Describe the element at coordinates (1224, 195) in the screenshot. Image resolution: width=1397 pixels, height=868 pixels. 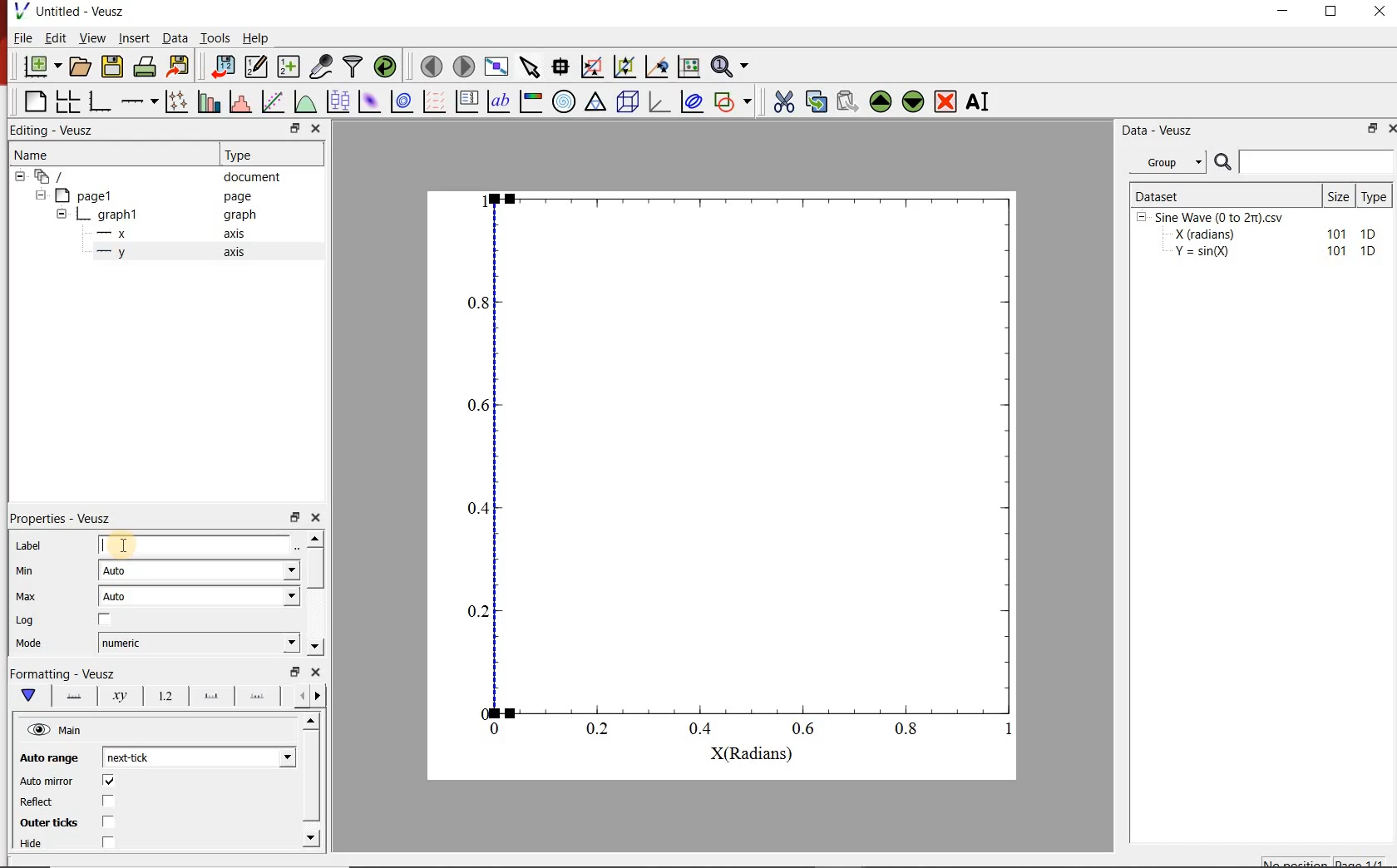
I see `Dataset` at that location.